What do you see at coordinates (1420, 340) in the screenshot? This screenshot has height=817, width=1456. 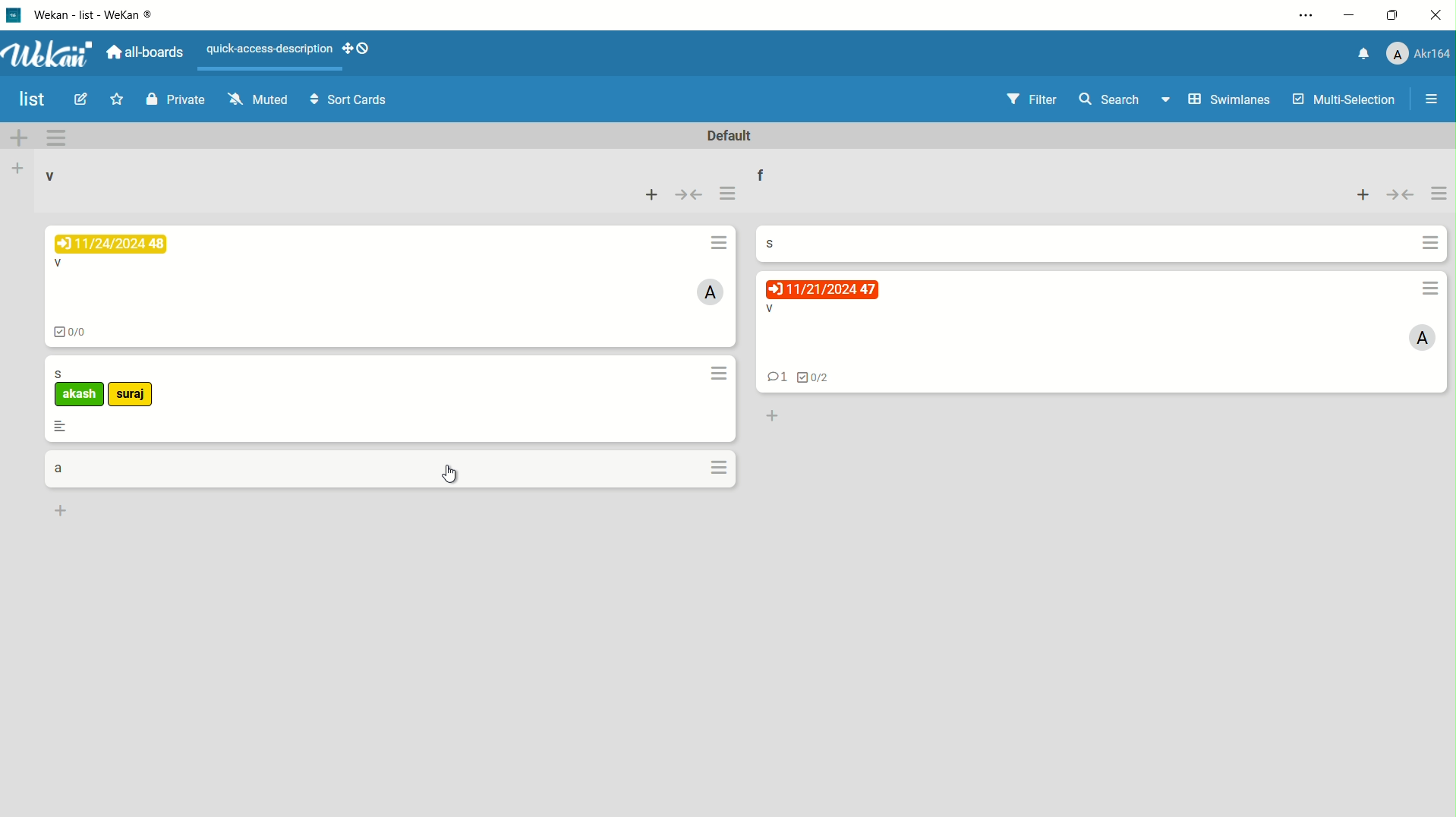 I see `admin` at bounding box center [1420, 340].